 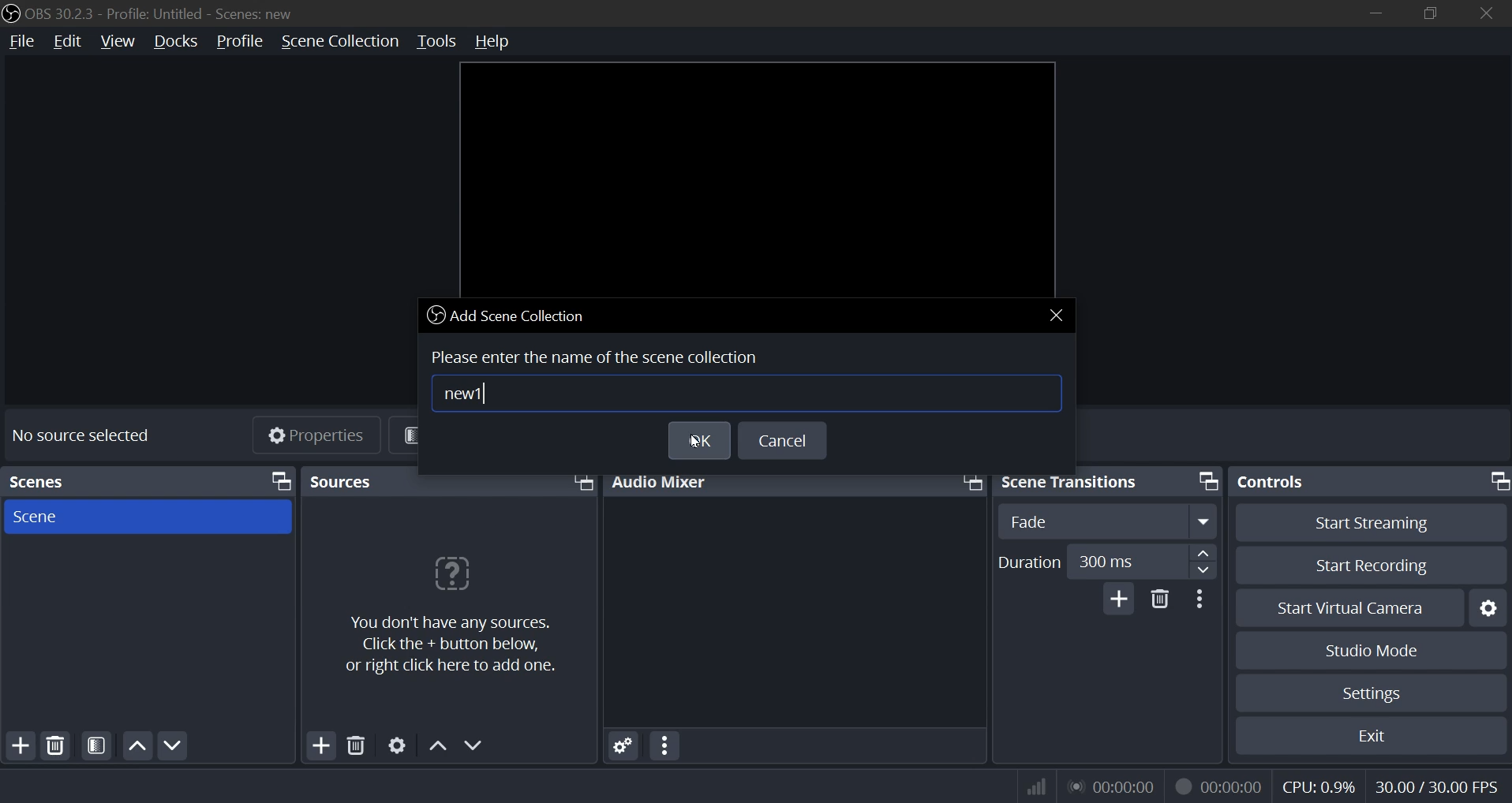 I want to click on bring front, so click(x=281, y=481).